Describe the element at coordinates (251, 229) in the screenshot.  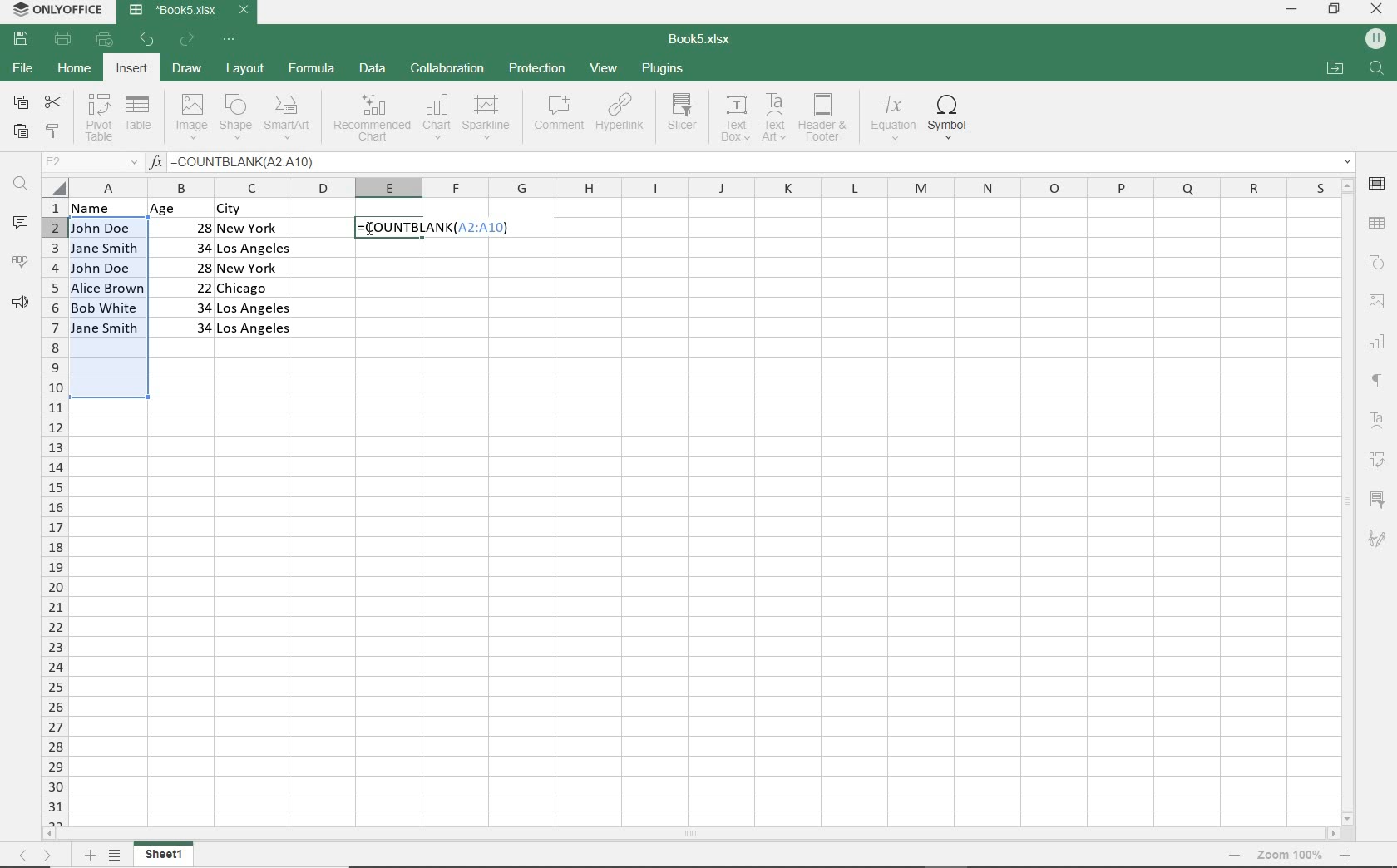
I see `New york` at that location.